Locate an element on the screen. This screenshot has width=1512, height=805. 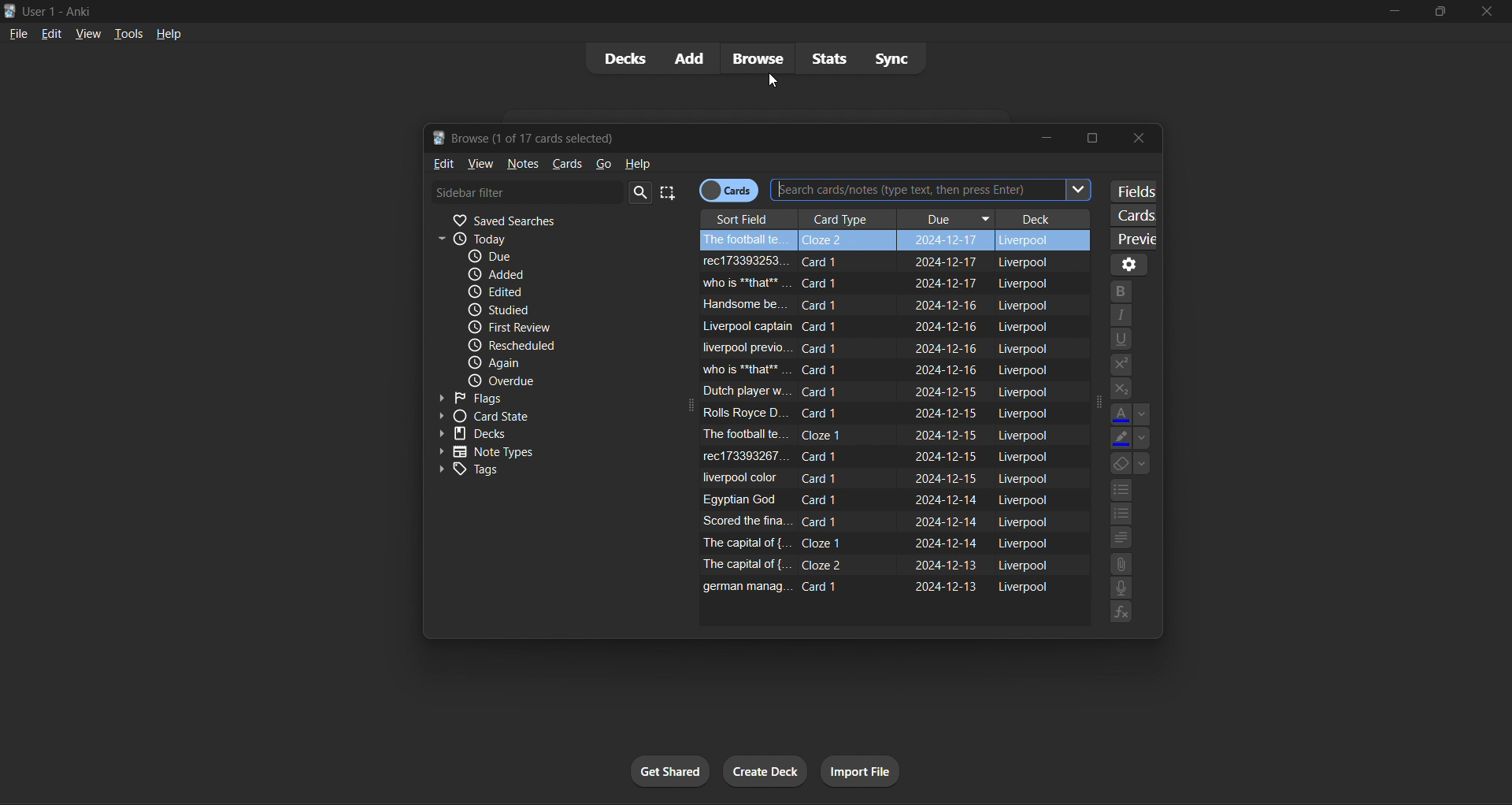
liverpool is located at coordinates (1029, 565).